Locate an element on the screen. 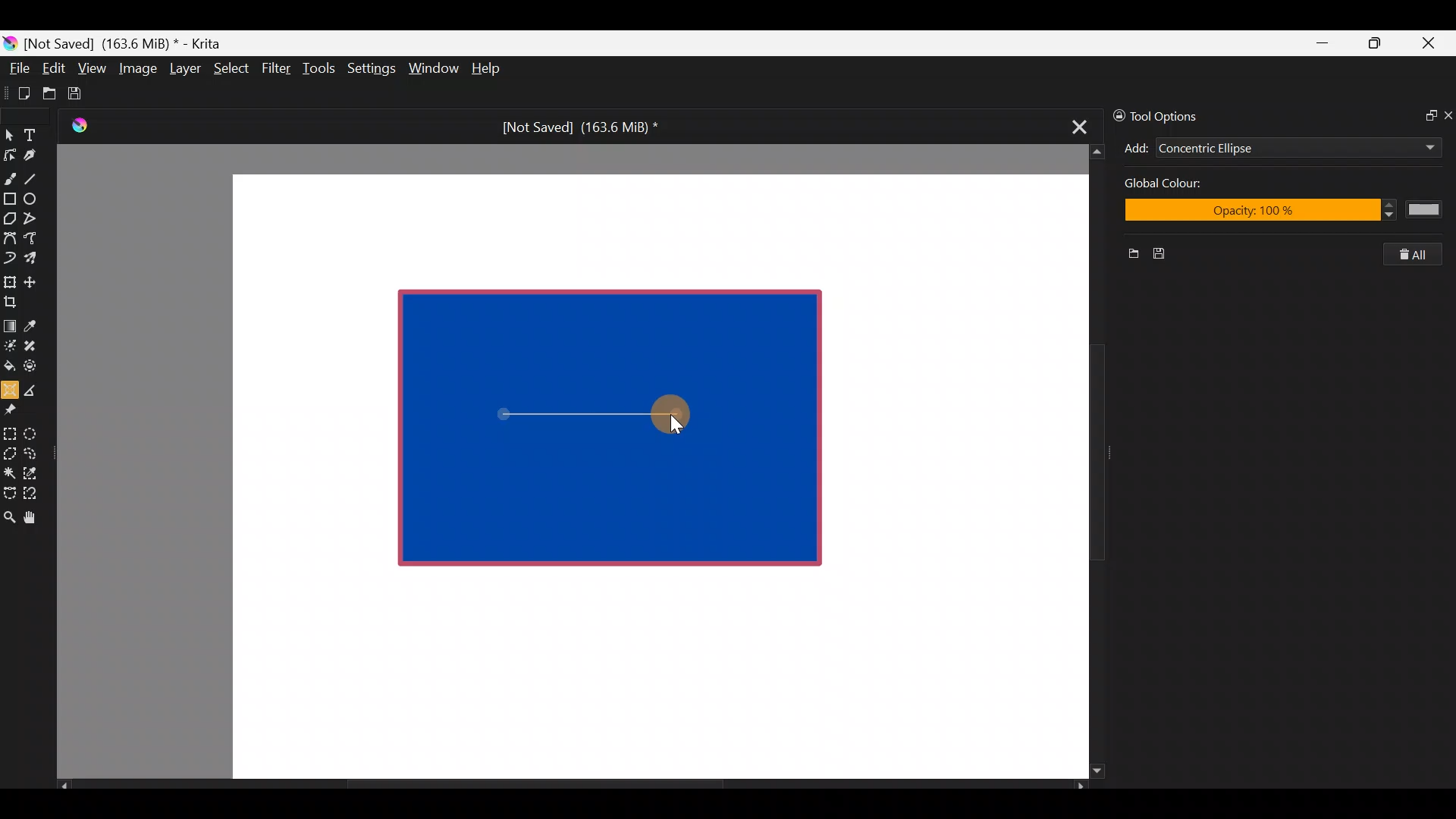 Image resolution: width=1456 pixels, height=819 pixels. Polyline tool is located at coordinates (36, 219).